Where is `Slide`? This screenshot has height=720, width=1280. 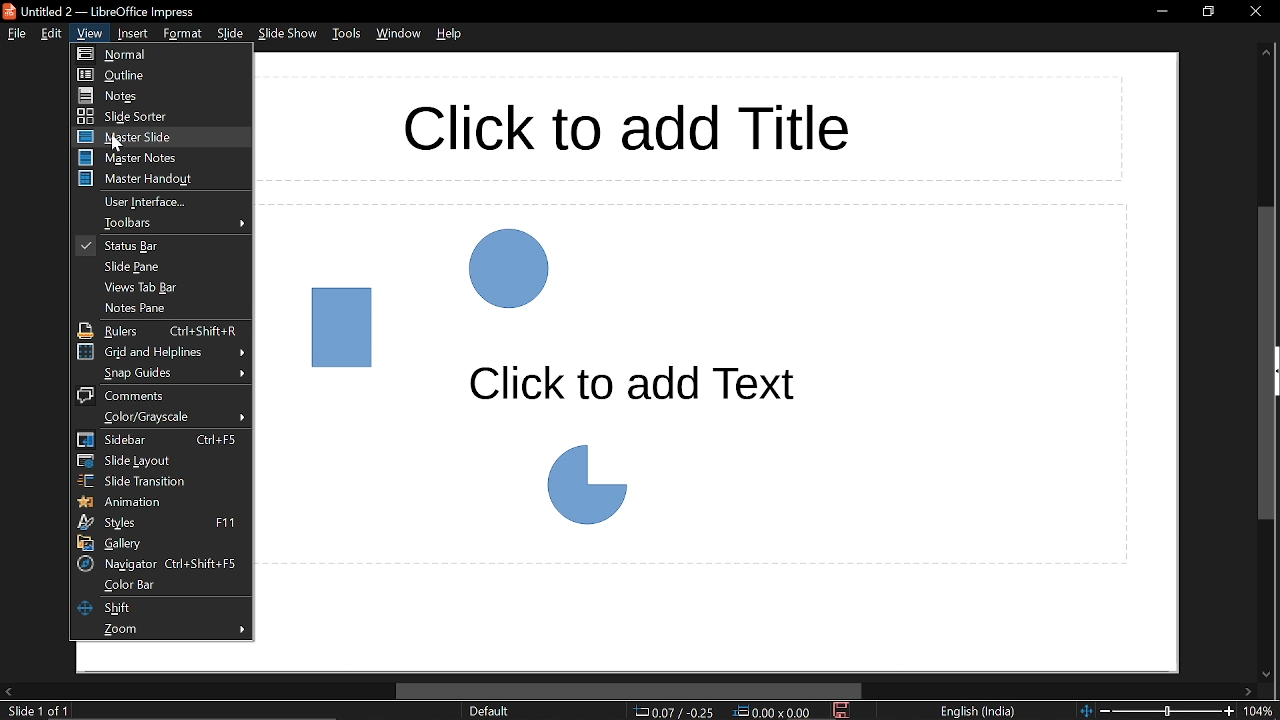 Slide is located at coordinates (230, 35).